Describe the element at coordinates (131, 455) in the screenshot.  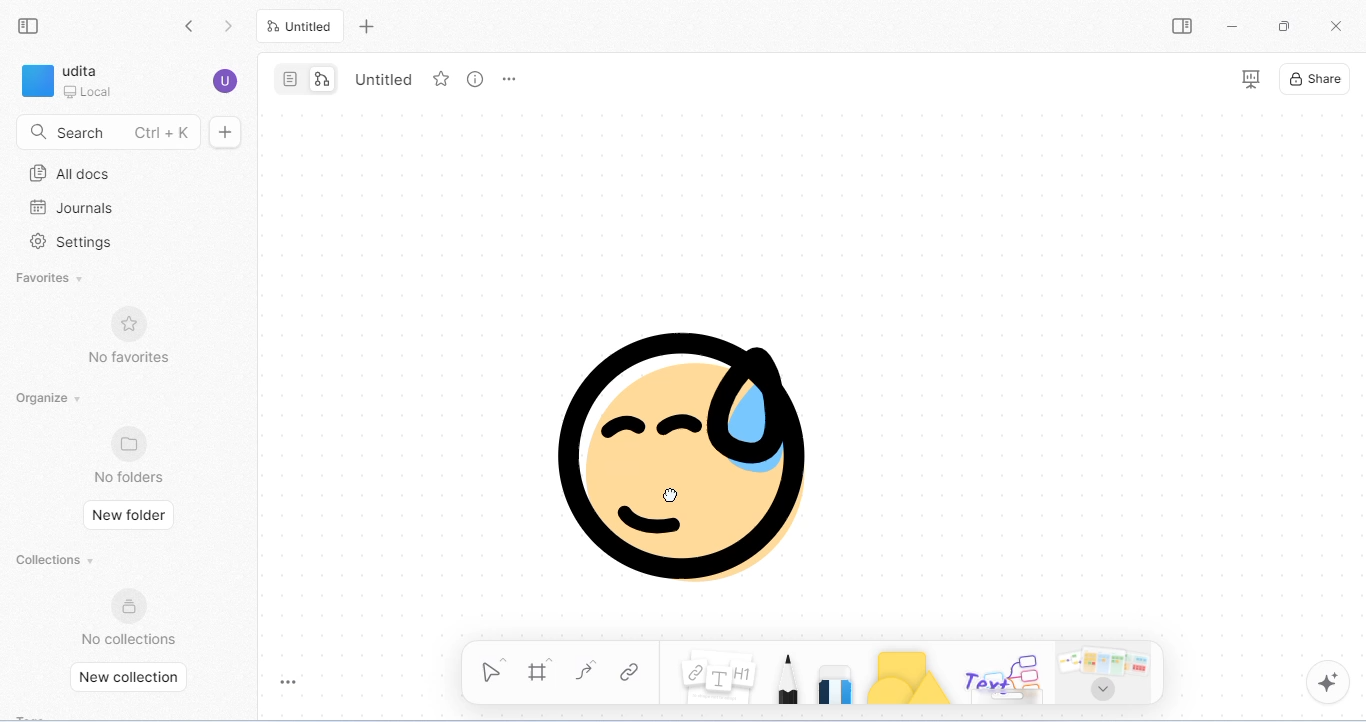
I see `no folders` at that location.